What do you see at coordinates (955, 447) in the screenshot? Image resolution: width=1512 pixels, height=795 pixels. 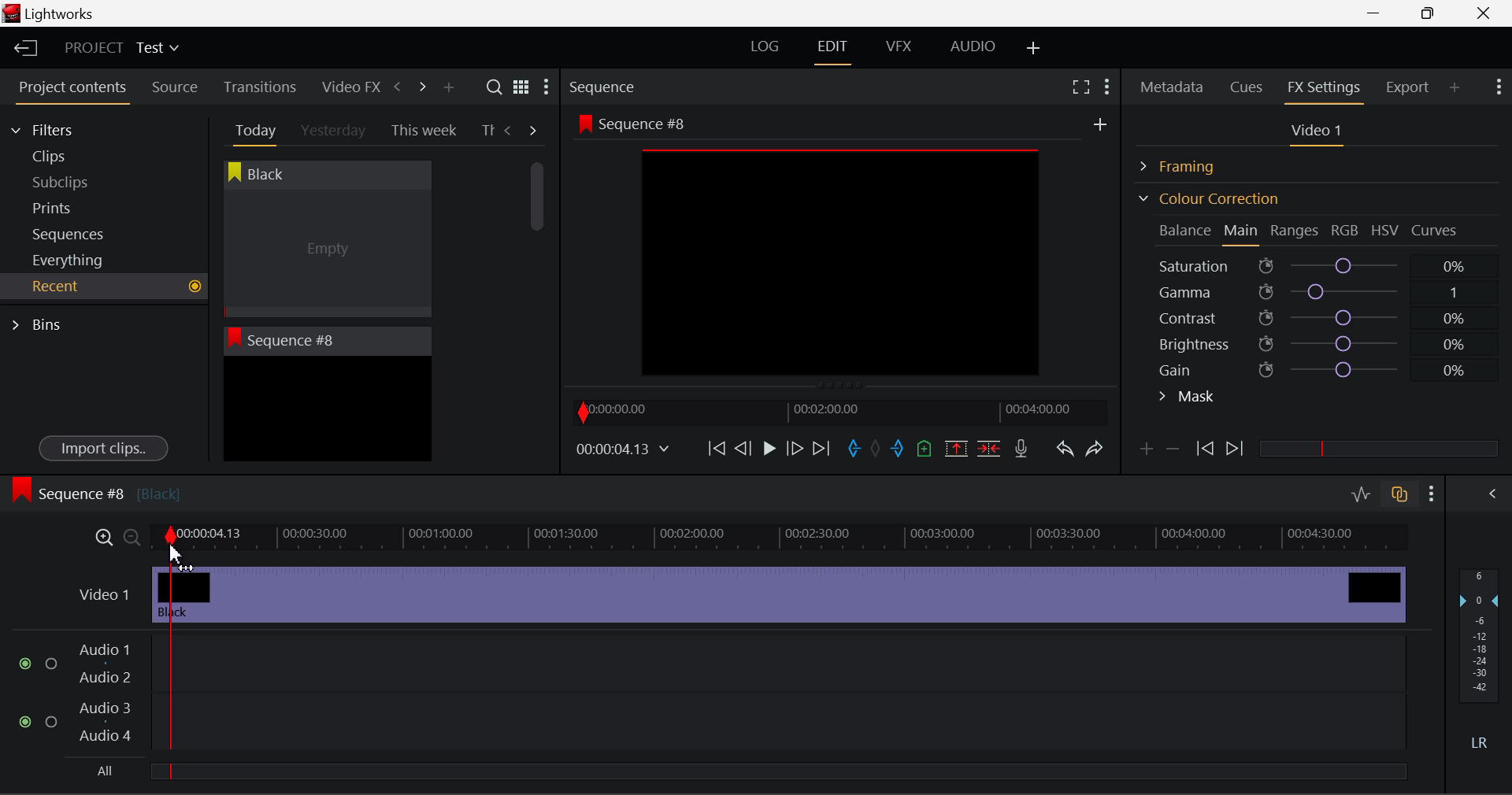 I see `Remove marked section` at bounding box center [955, 447].